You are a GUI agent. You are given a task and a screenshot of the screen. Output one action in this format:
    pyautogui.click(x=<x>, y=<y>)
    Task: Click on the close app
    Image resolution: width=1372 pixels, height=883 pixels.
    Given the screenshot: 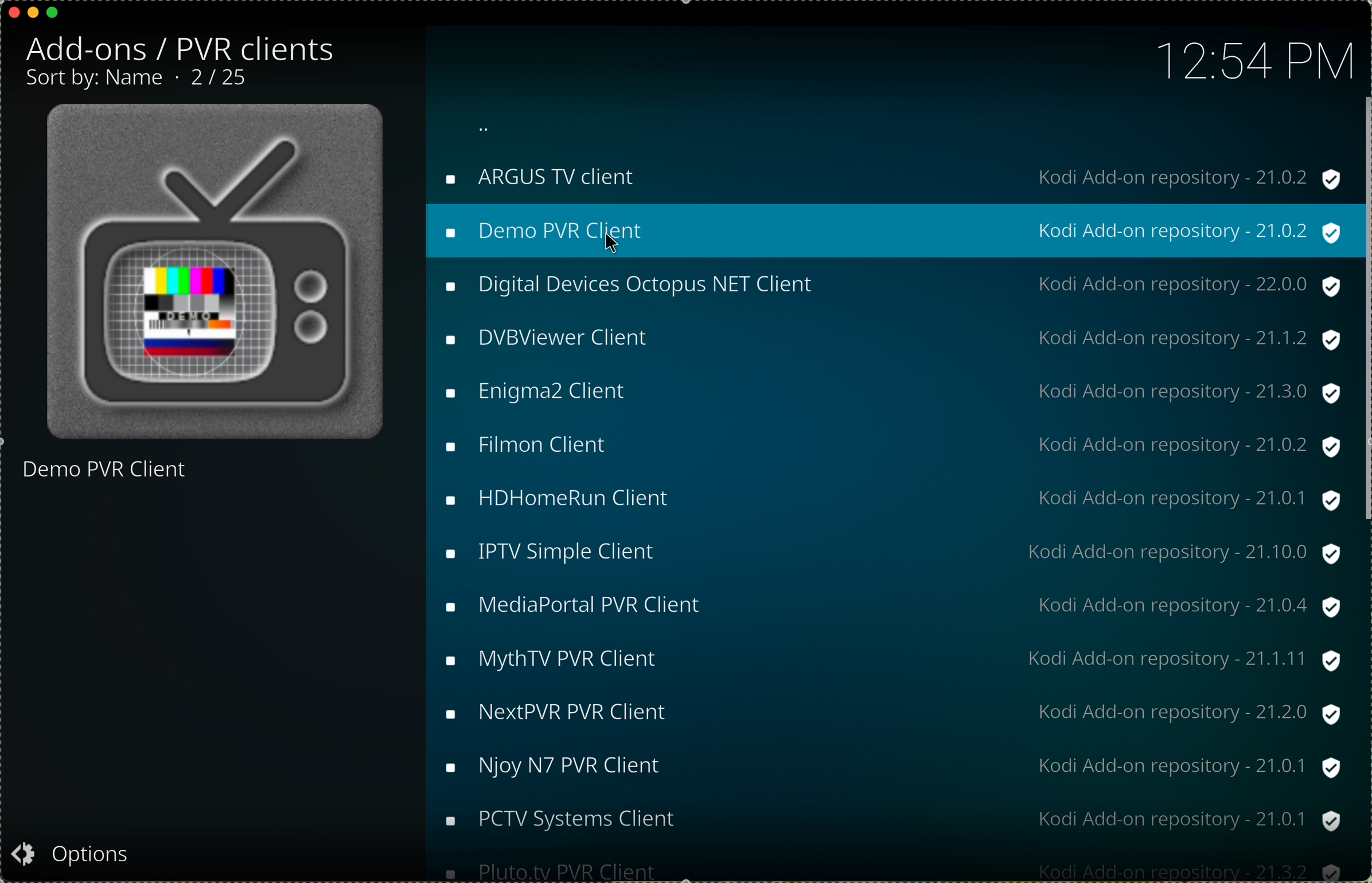 What is the action you would take?
    pyautogui.click(x=12, y=10)
    